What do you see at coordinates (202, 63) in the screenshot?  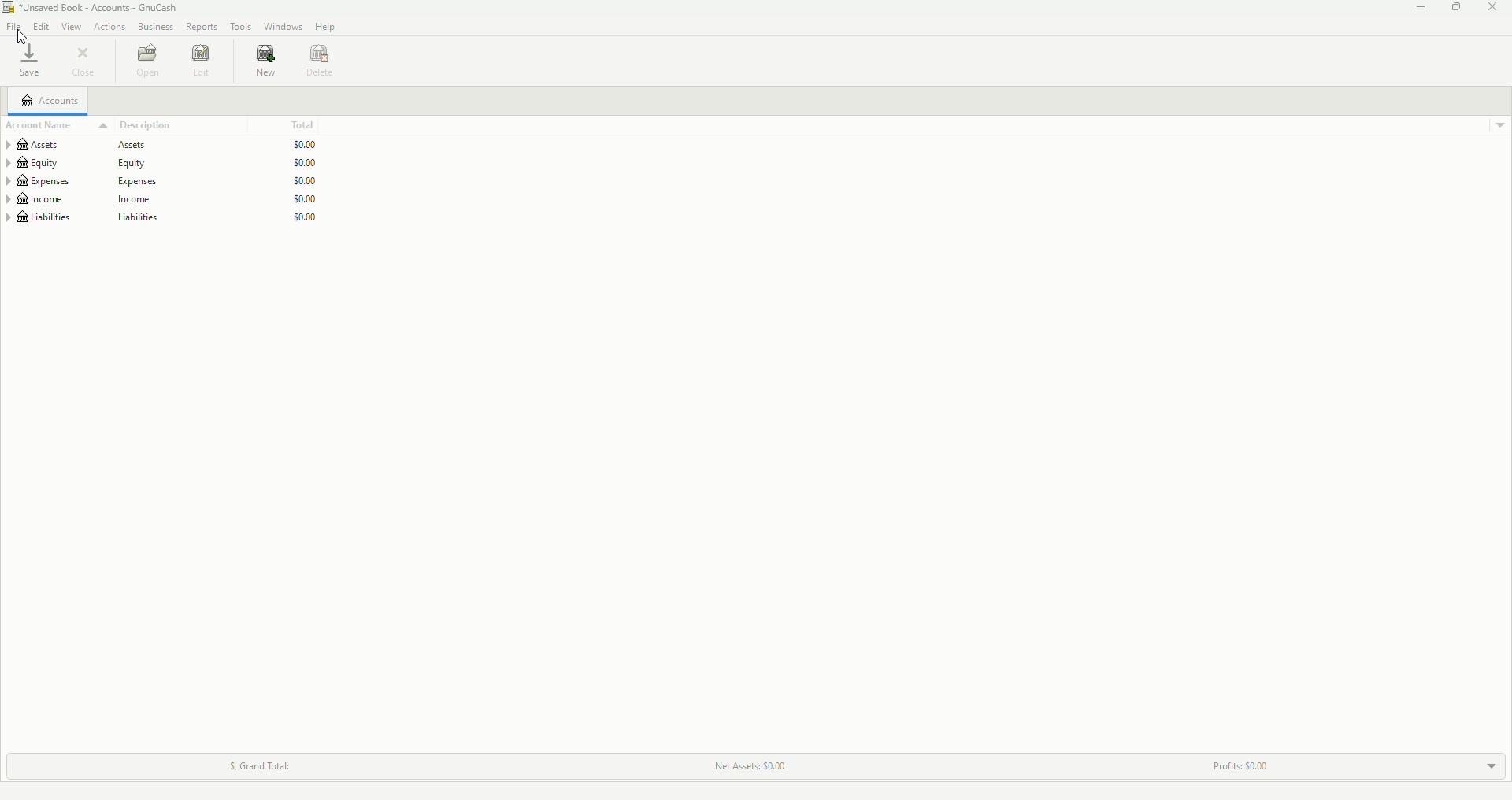 I see `Edit` at bounding box center [202, 63].